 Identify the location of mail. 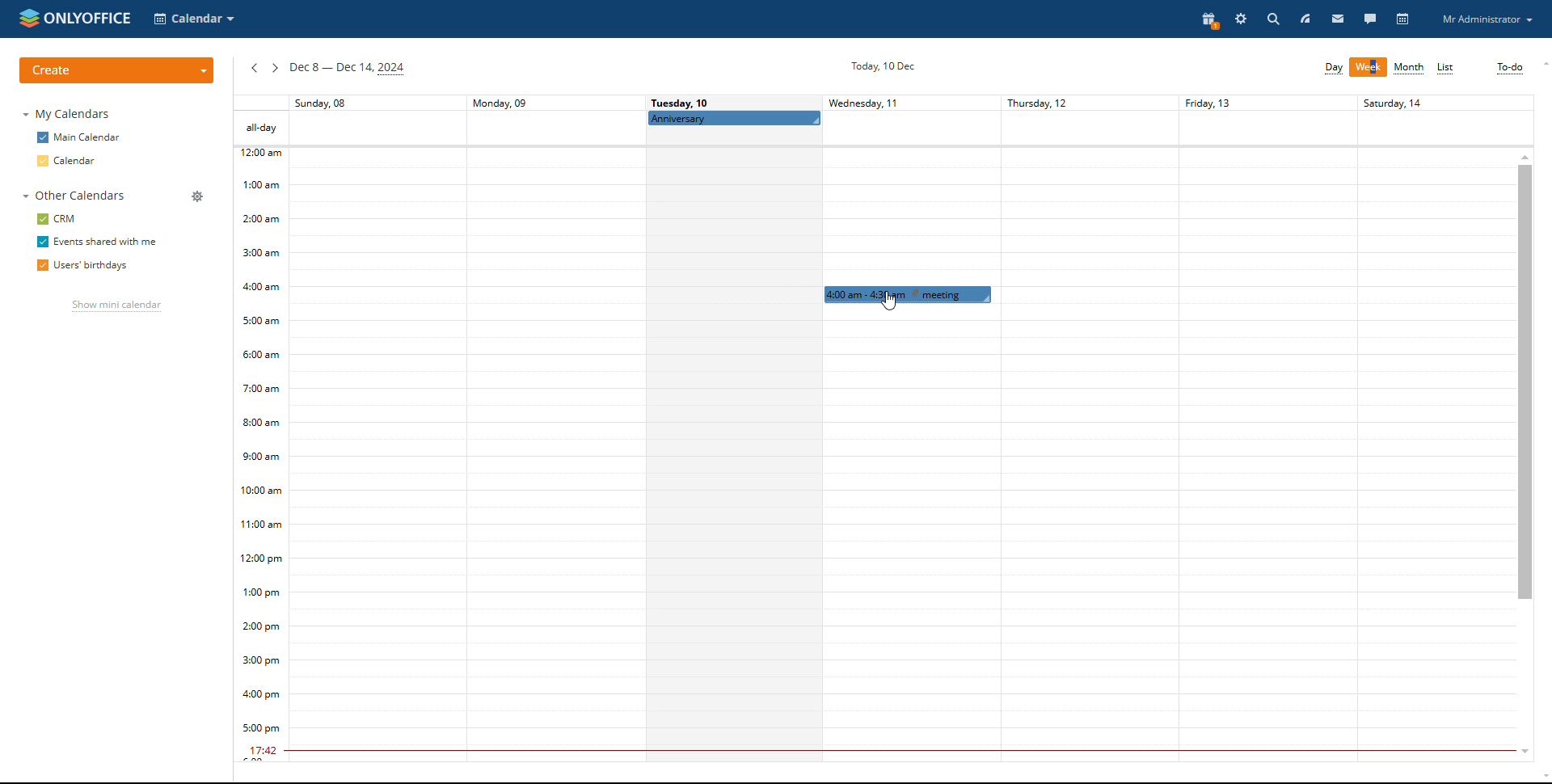
(1336, 19).